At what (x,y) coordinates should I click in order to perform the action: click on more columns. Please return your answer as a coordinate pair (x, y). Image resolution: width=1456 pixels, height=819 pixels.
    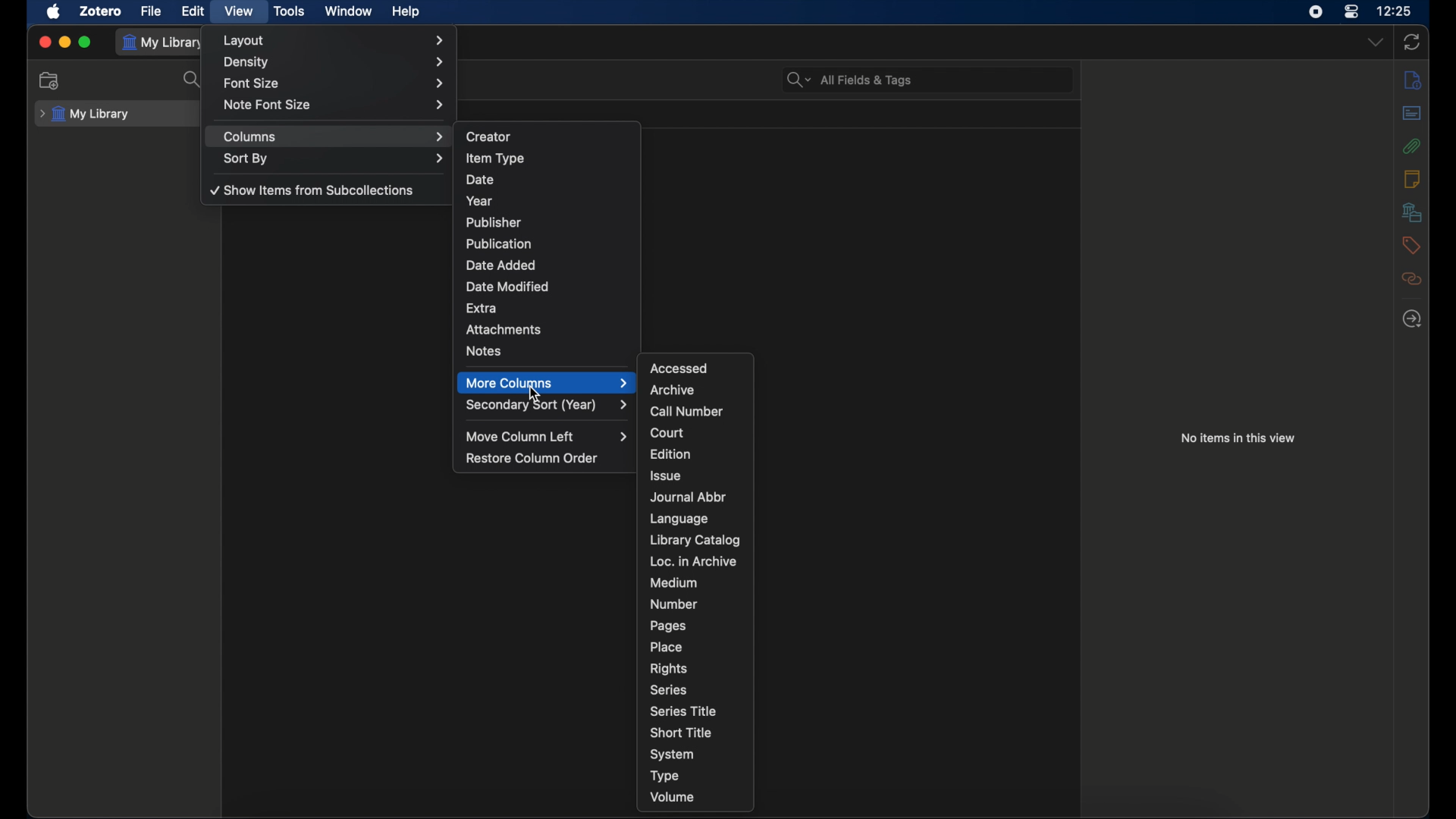
    Looking at the image, I should click on (546, 382).